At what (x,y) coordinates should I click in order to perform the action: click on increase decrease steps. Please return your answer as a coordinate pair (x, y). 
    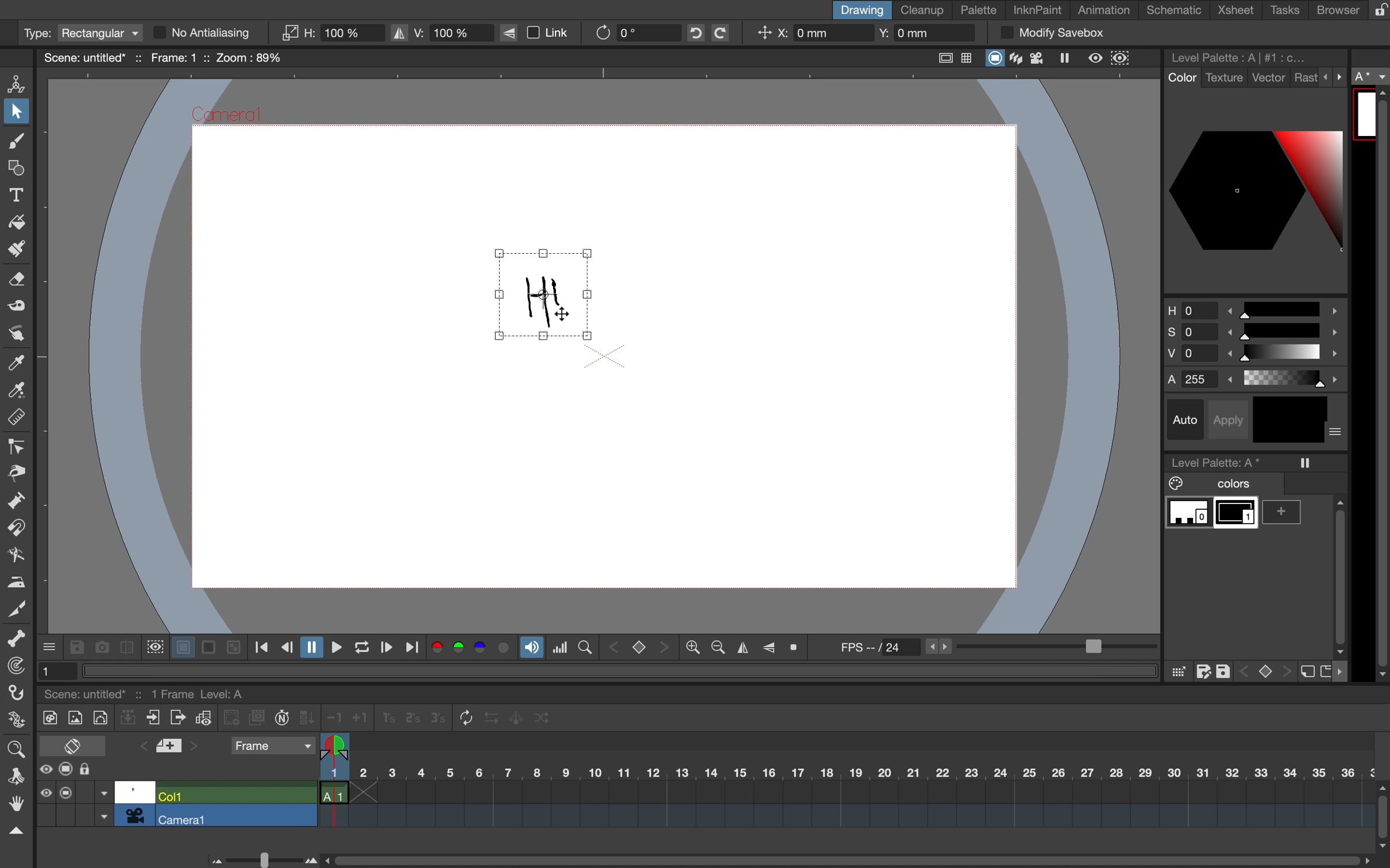
    Looking at the image, I should click on (344, 718).